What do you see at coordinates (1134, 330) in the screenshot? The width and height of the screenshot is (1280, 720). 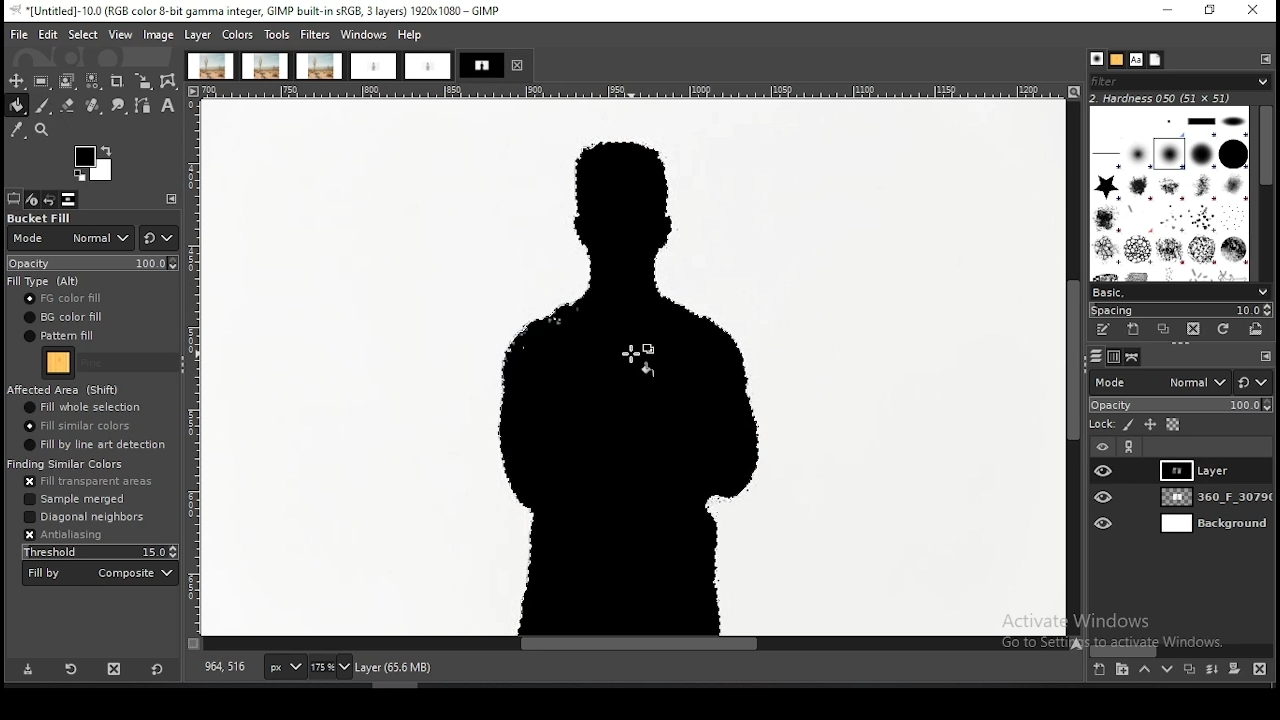 I see `create a new brush` at bounding box center [1134, 330].